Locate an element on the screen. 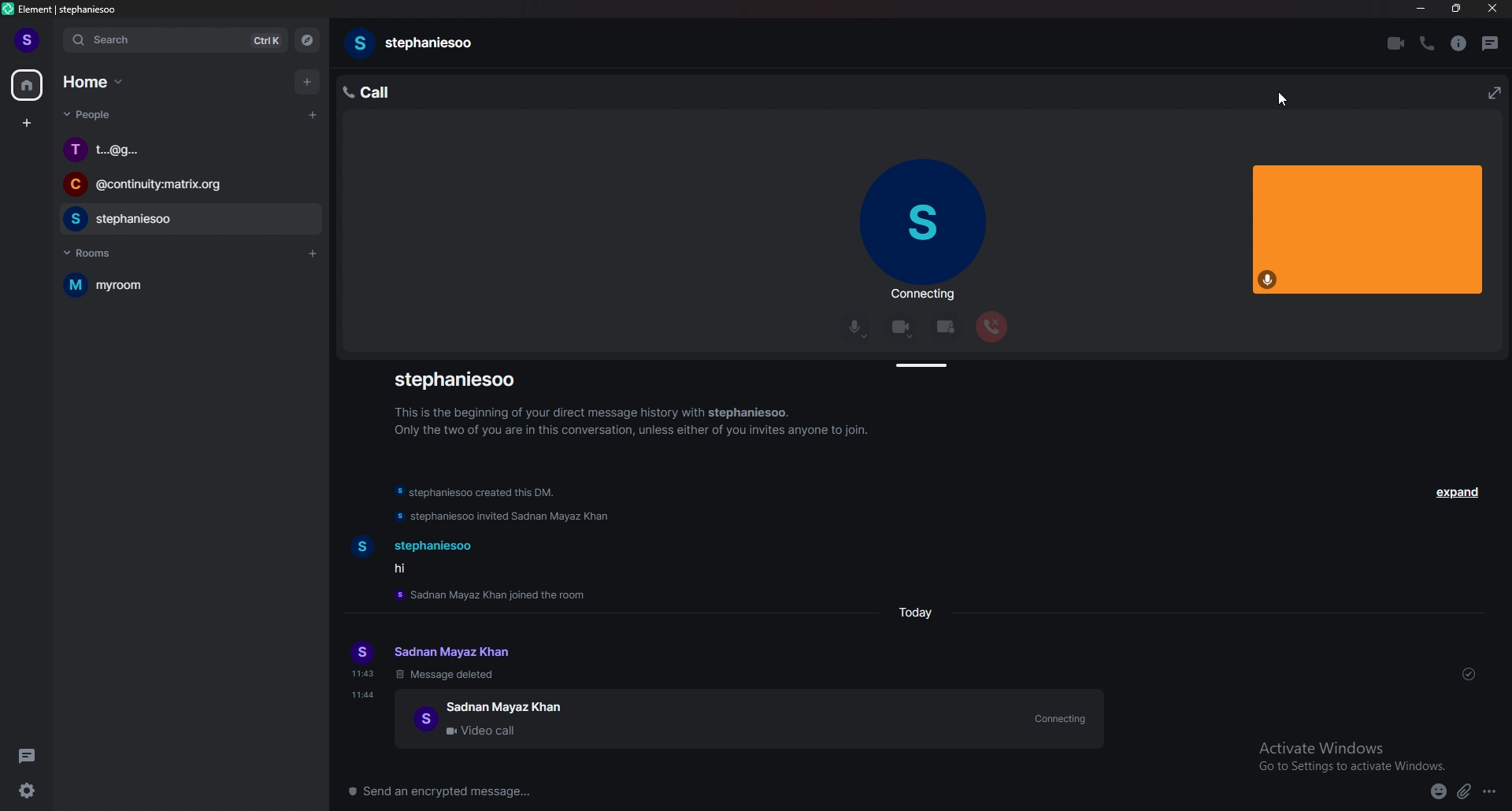 The width and height of the screenshot is (1512, 811). start chat is located at coordinates (313, 114).